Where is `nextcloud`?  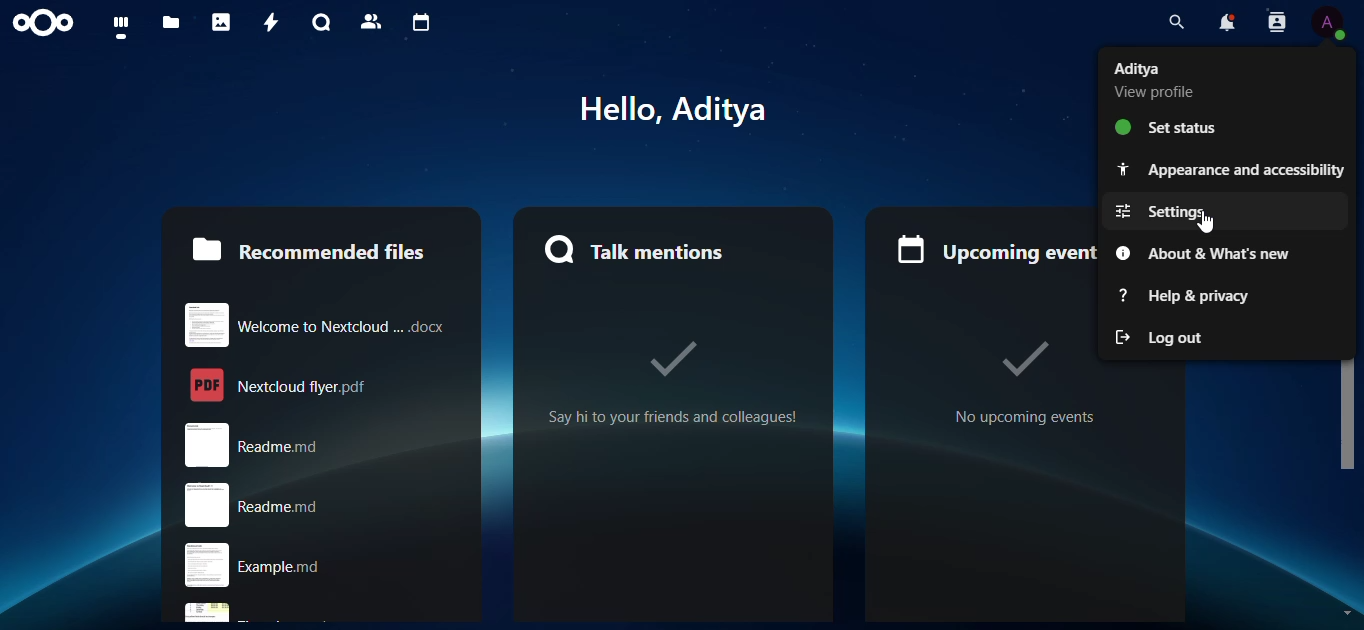 nextcloud is located at coordinates (48, 24).